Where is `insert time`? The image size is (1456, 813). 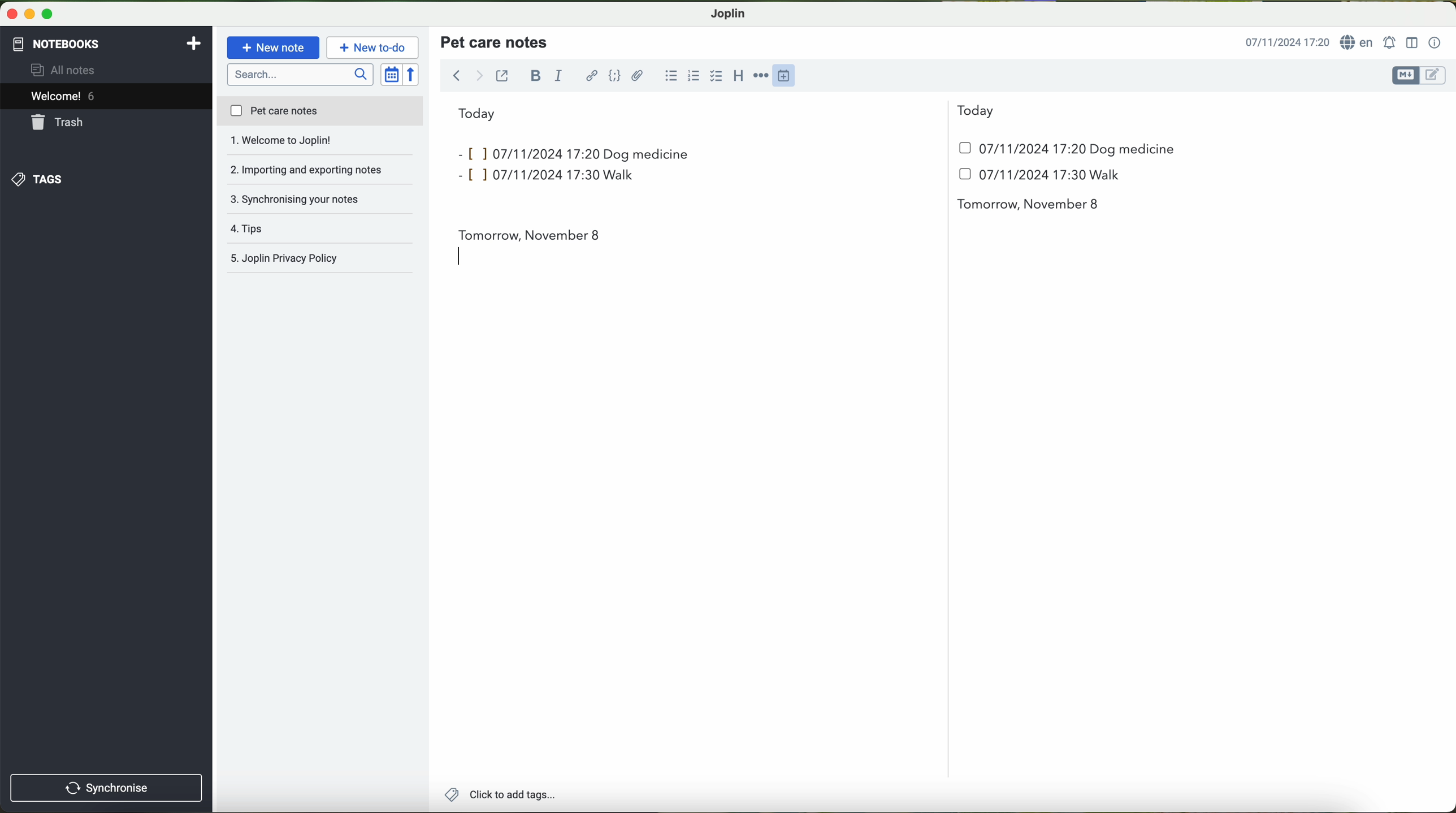
insert time is located at coordinates (789, 75).